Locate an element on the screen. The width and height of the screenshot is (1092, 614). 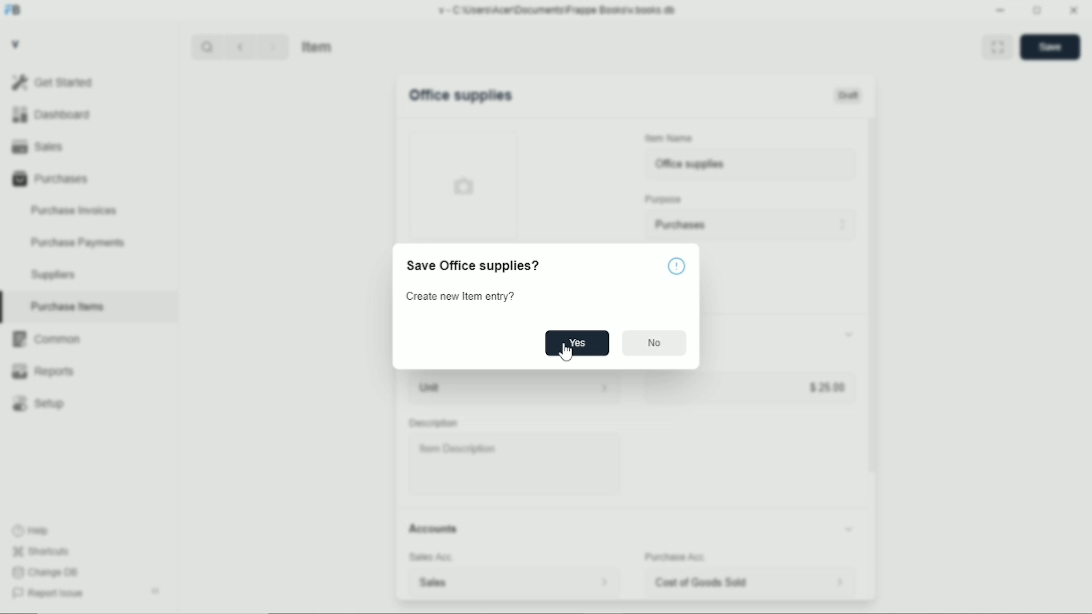
purchases is located at coordinates (750, 225).